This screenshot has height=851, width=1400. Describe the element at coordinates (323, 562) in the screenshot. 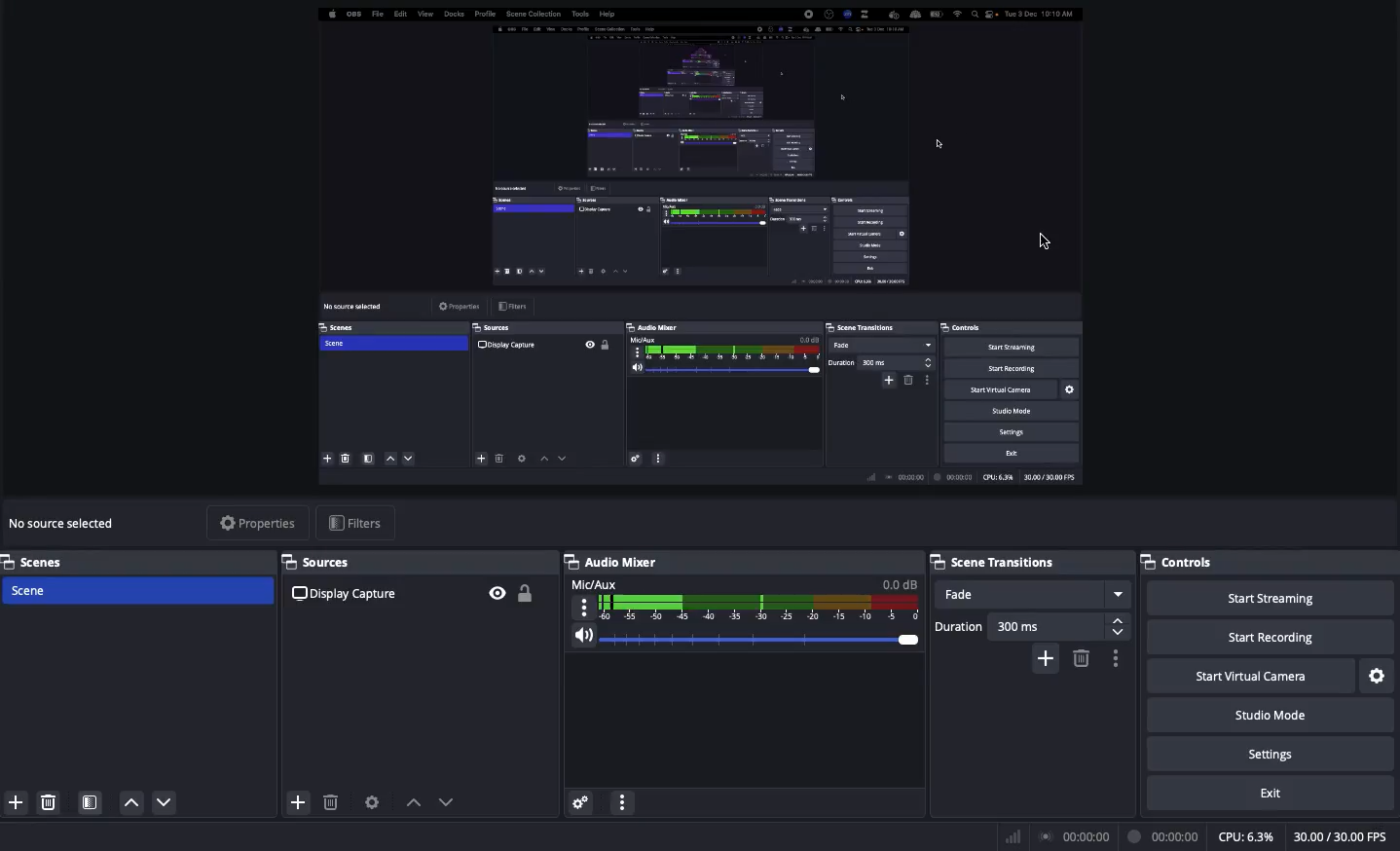

I see `Sources` at that location.